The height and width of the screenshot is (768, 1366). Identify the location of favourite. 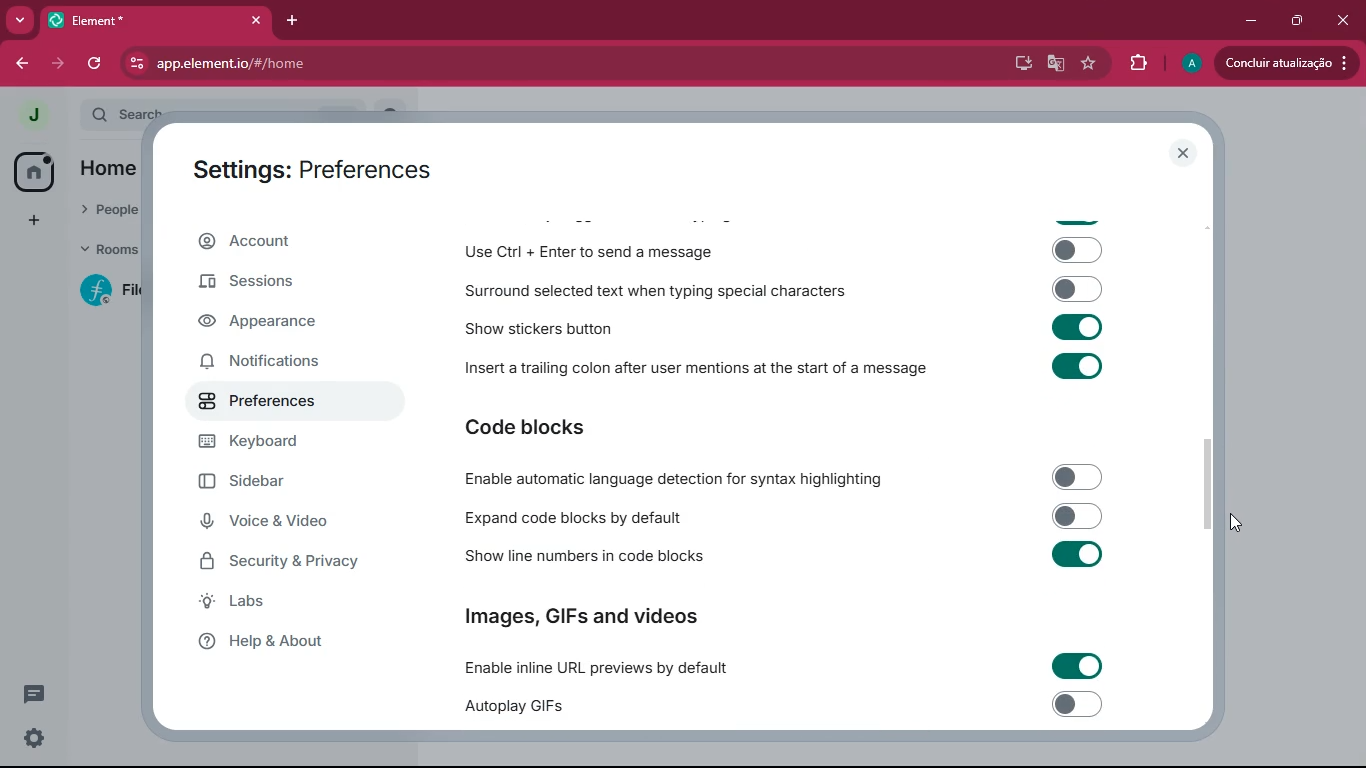
(1089, 64).